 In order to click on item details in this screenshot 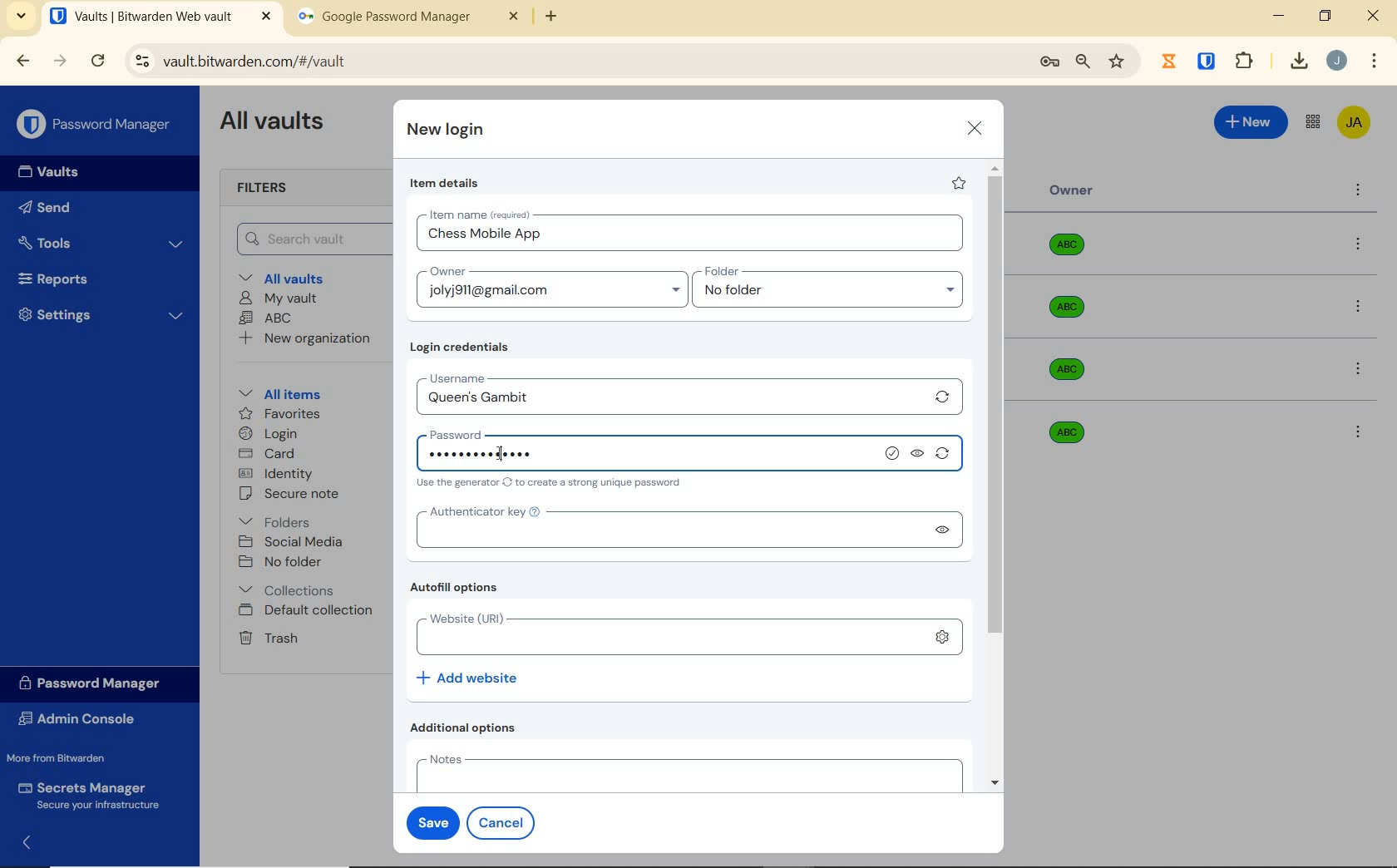, I will do `click(445, 184)`.